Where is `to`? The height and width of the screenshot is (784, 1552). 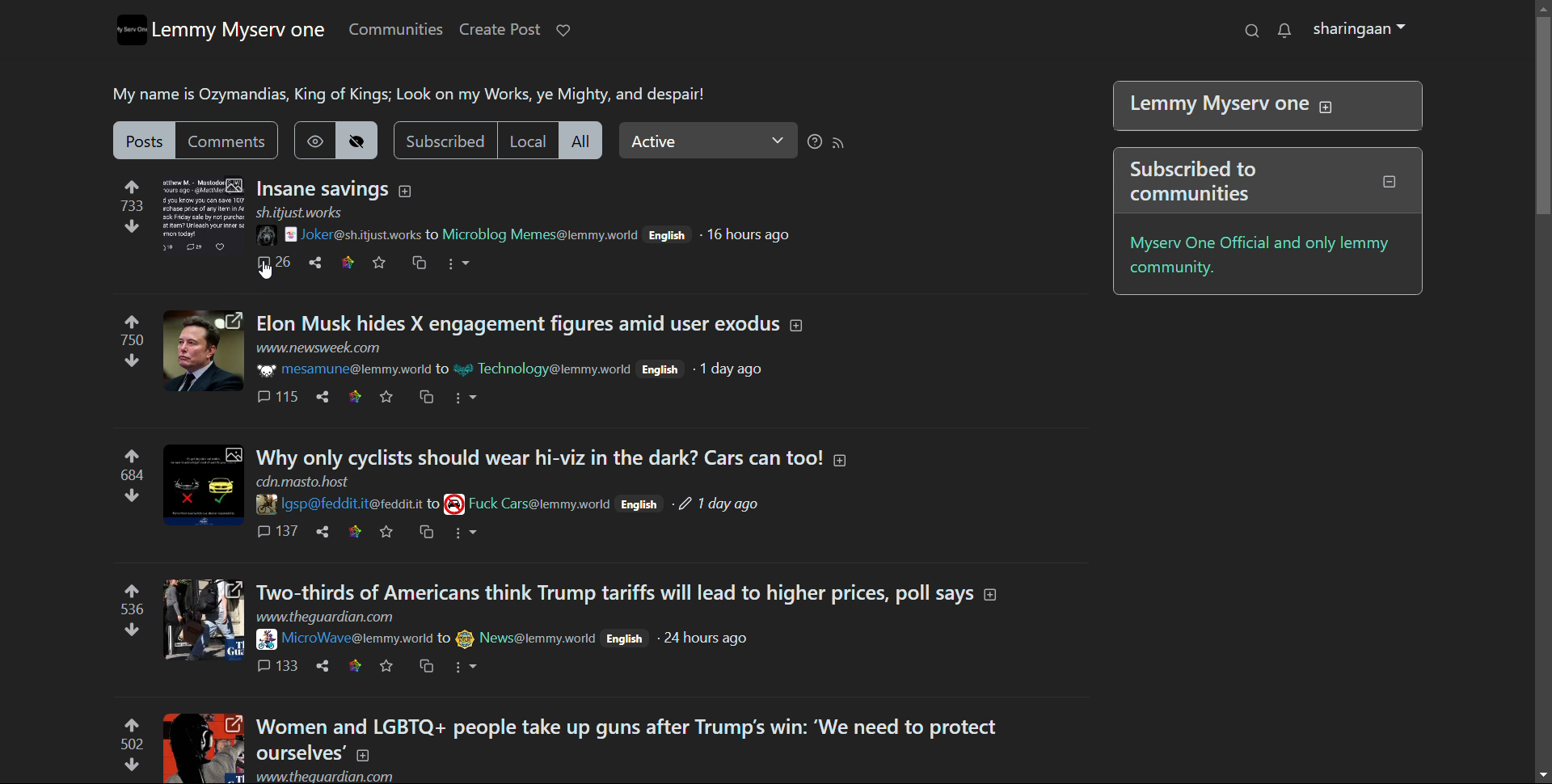
to is located at coordinates (435, 504).